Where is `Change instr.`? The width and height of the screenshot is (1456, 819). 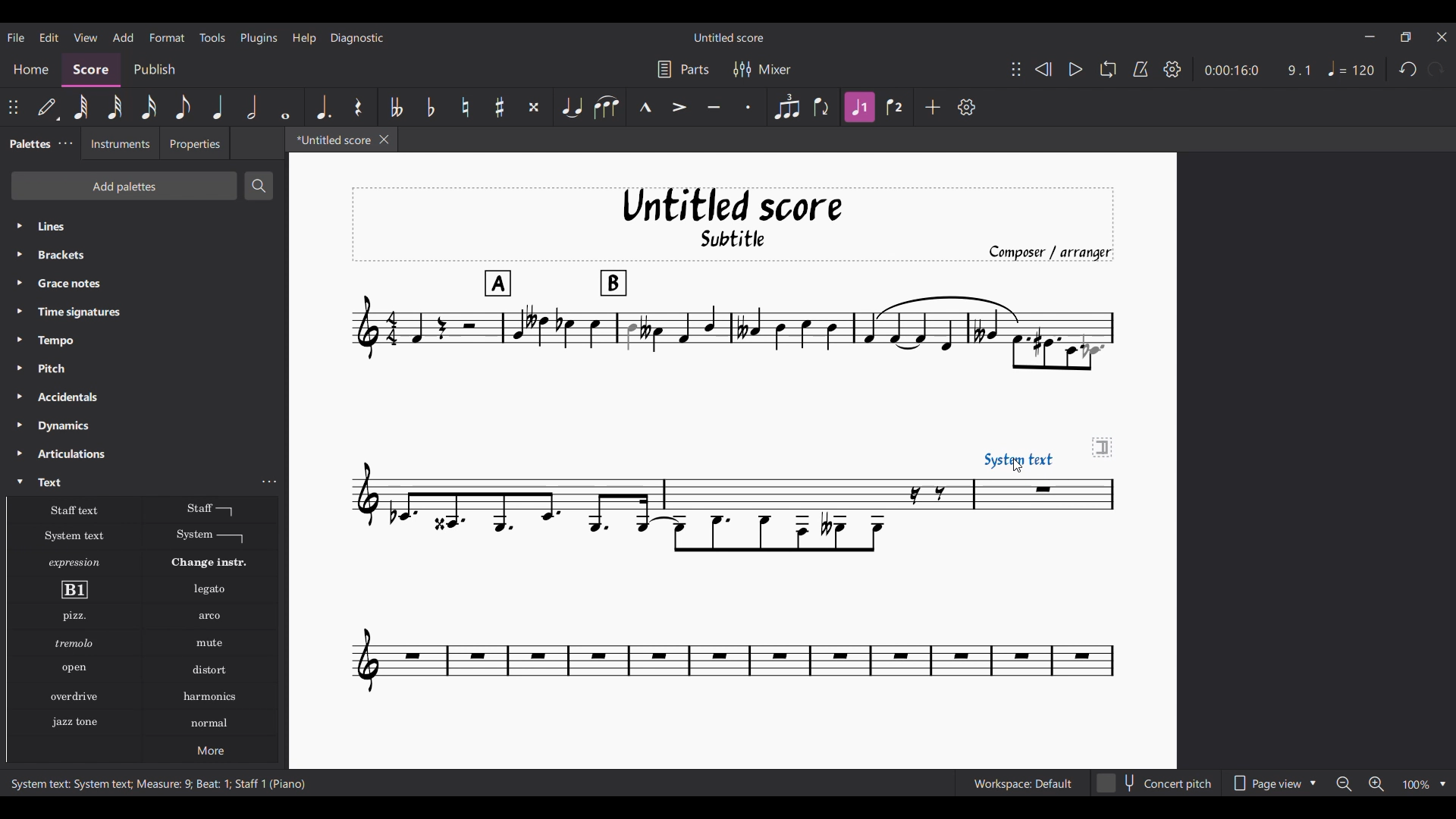
Change instr. is located at coordinates (209, 563).